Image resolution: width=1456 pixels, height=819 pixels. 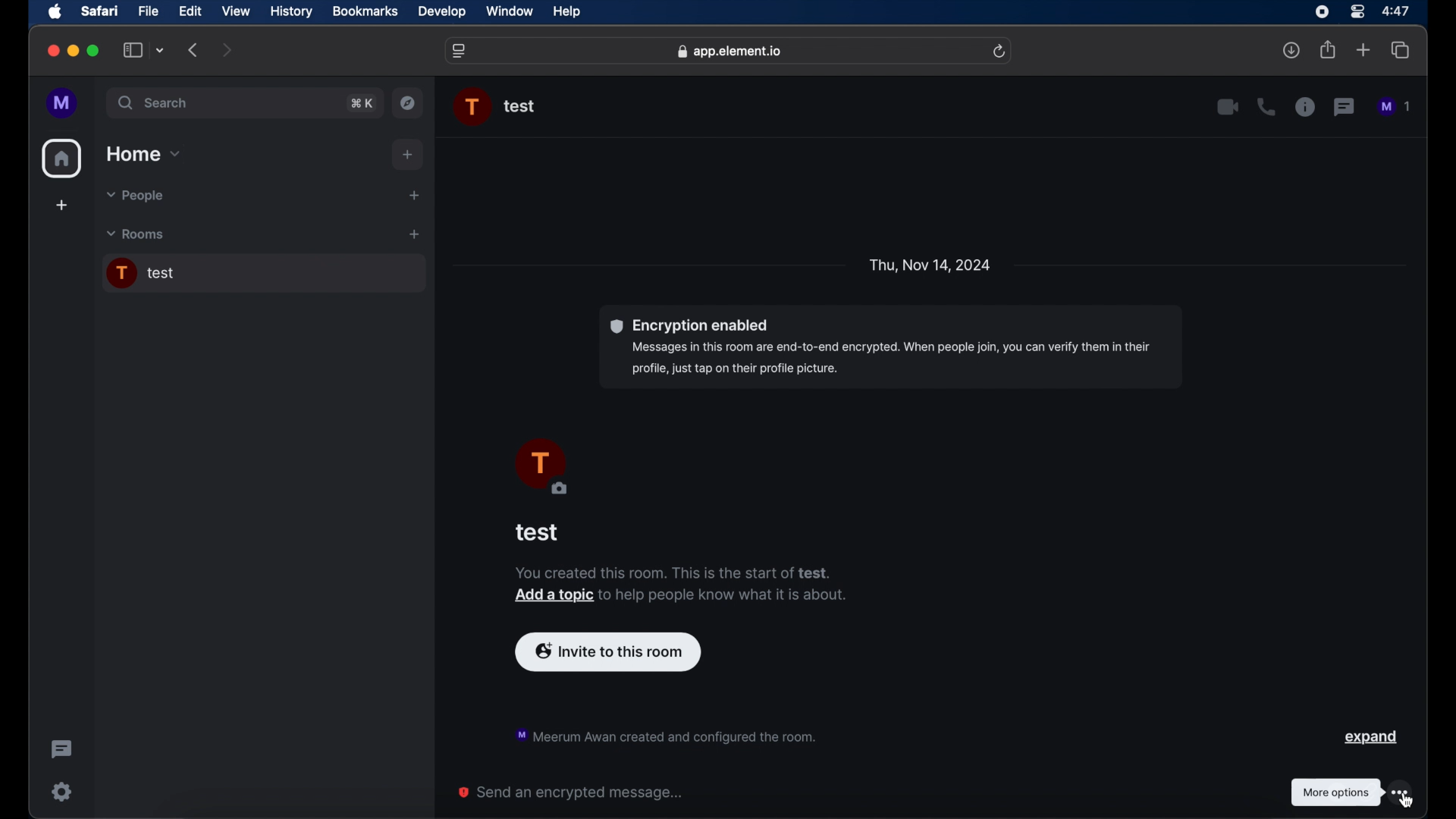 I want to click on threading activity, so click(x=61, y=749).